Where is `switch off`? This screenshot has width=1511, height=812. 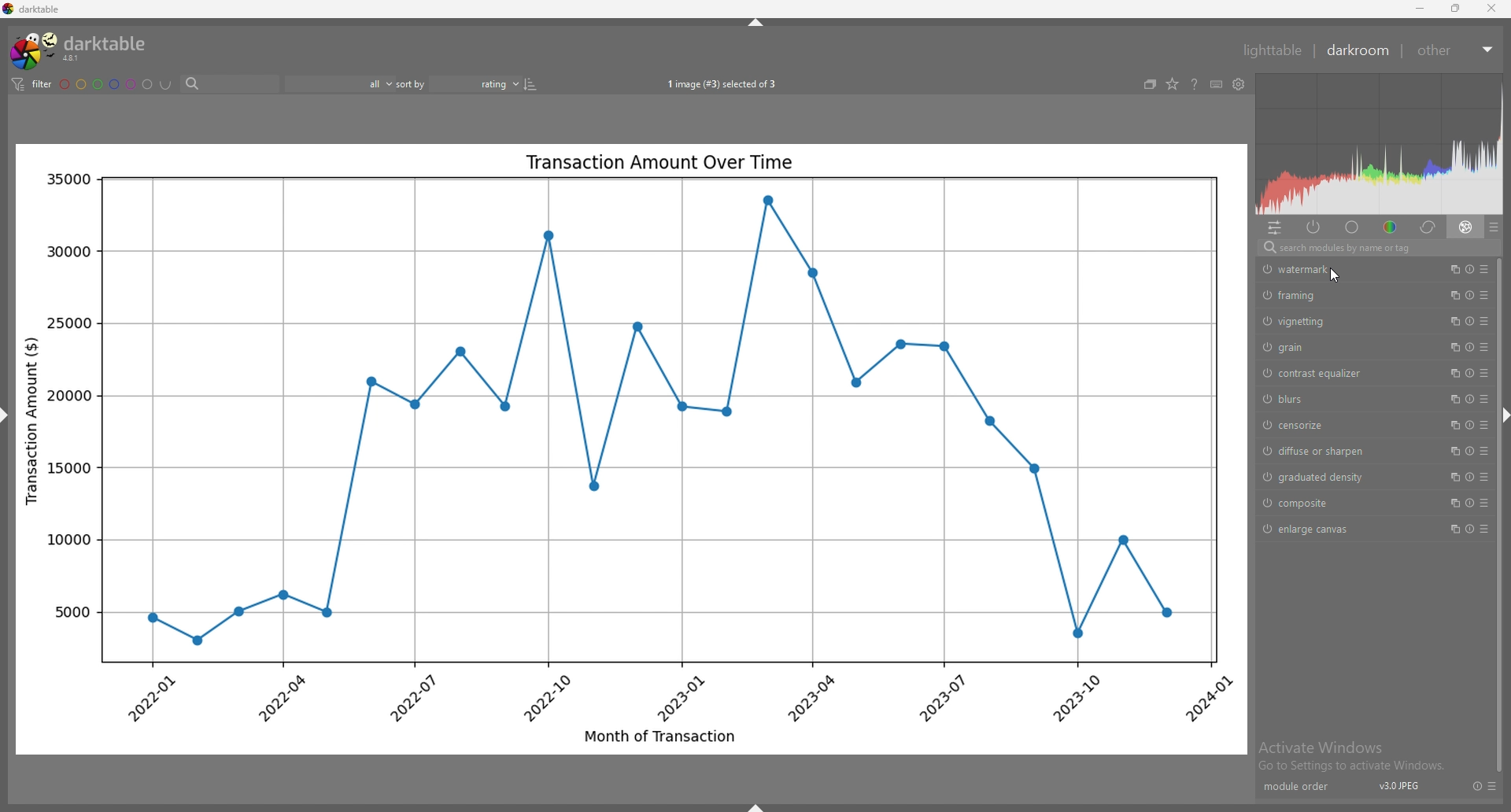 switch off is located at coordinates (1265, 270).